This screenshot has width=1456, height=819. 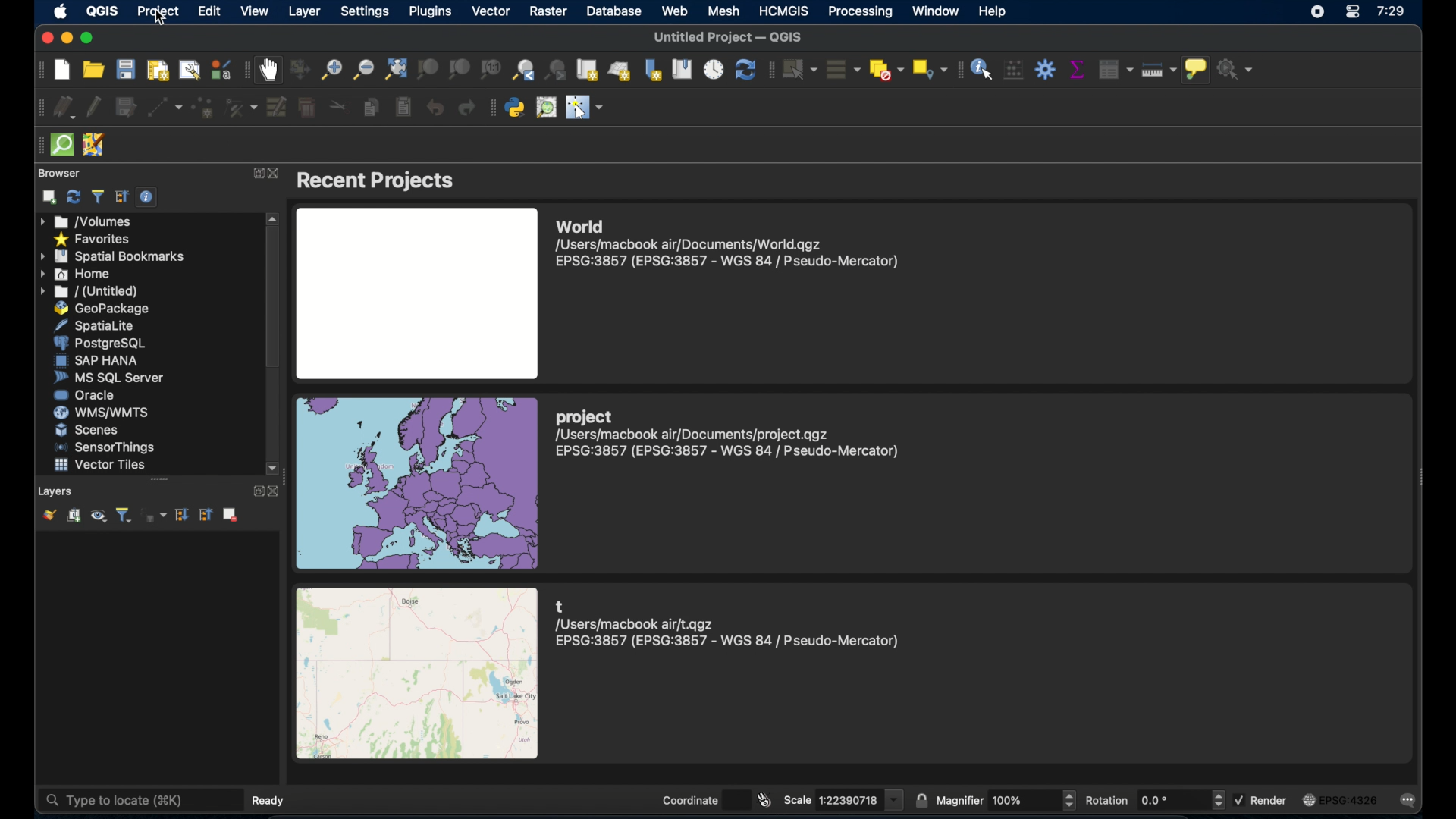 What do you see at coordinates (1310, 800) in the screenshot?
I see `image` at bounding box center [1310, 800].